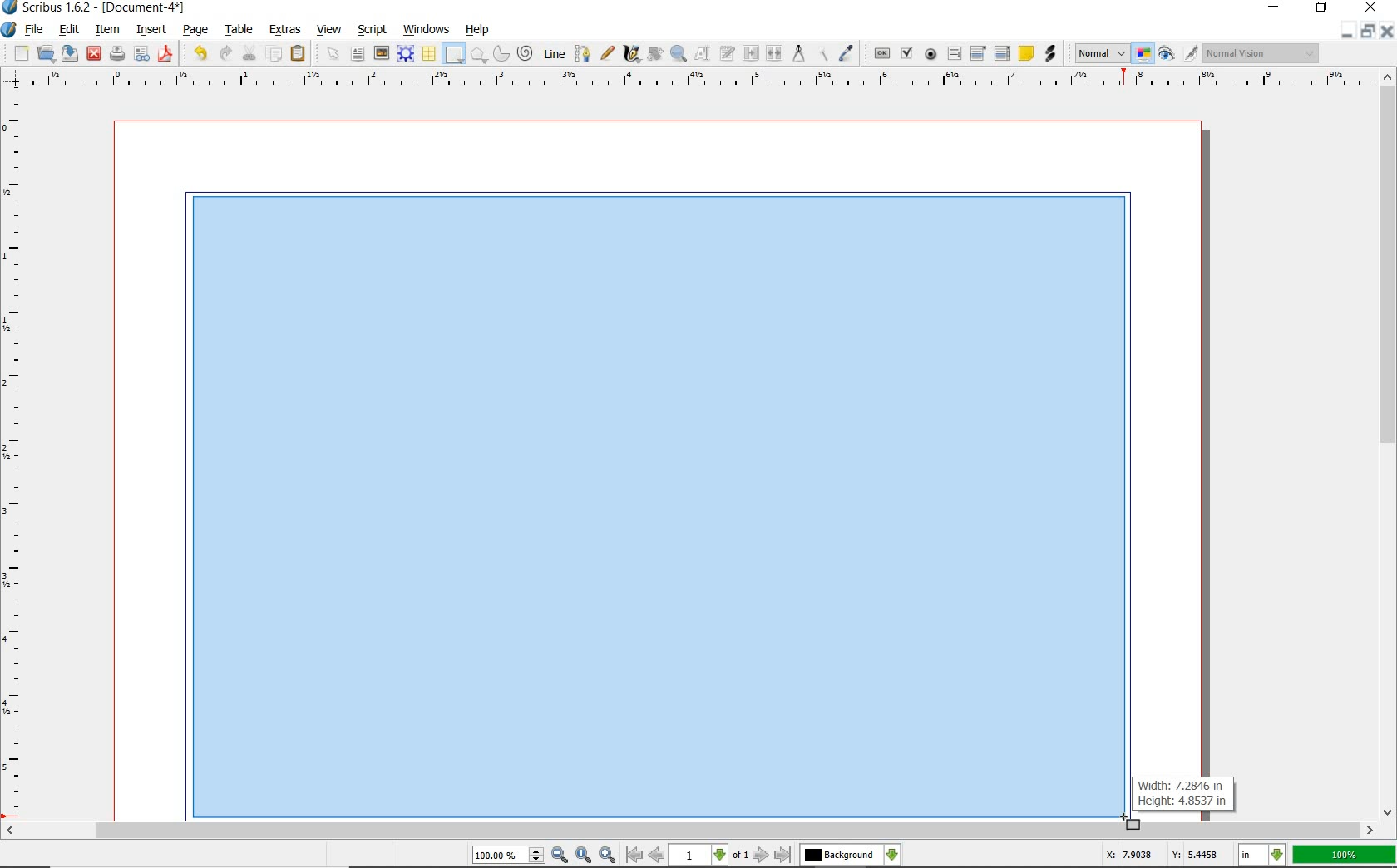 Image resolution: width=1397 pixels, height=868 pixels. Describe the element at coordinates (851, 856) in the screenshot. I see `Background` at that location.